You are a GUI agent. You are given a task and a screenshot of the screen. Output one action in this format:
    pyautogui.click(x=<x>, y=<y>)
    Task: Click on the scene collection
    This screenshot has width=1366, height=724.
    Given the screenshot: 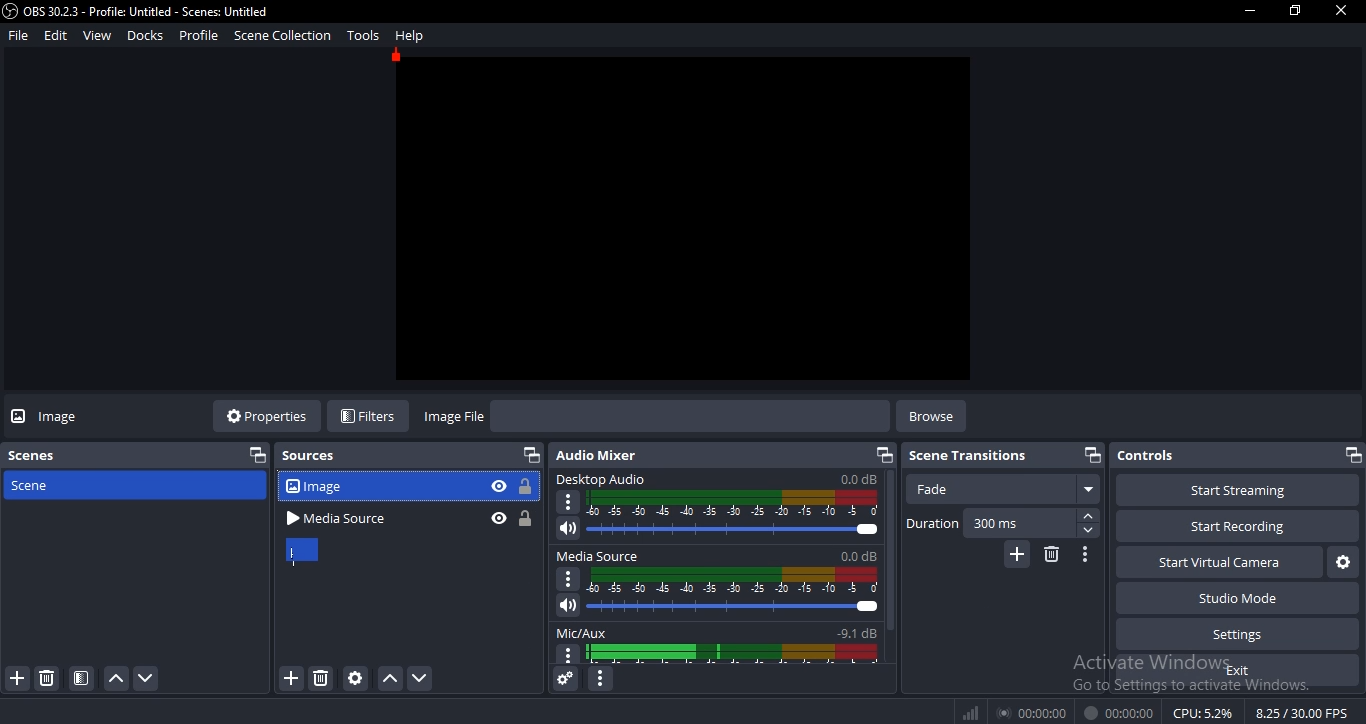 What is the action you would take?
    pyautogui.click(x=281, y=35)
    